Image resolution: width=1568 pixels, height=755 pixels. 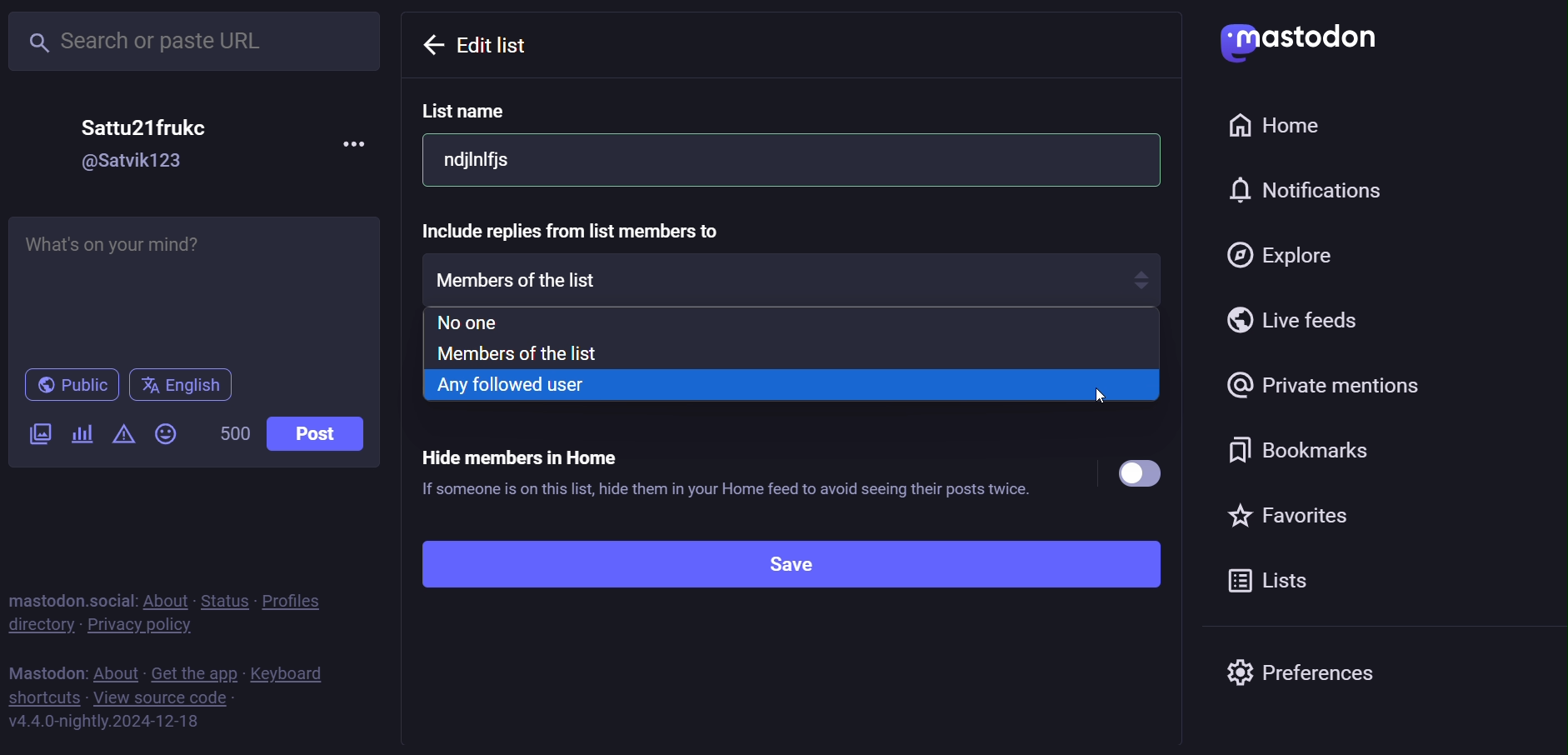 What do you see at coordinates (299, 599) in the screenshot?
I see `profiles` at bounding box center [299, 599].